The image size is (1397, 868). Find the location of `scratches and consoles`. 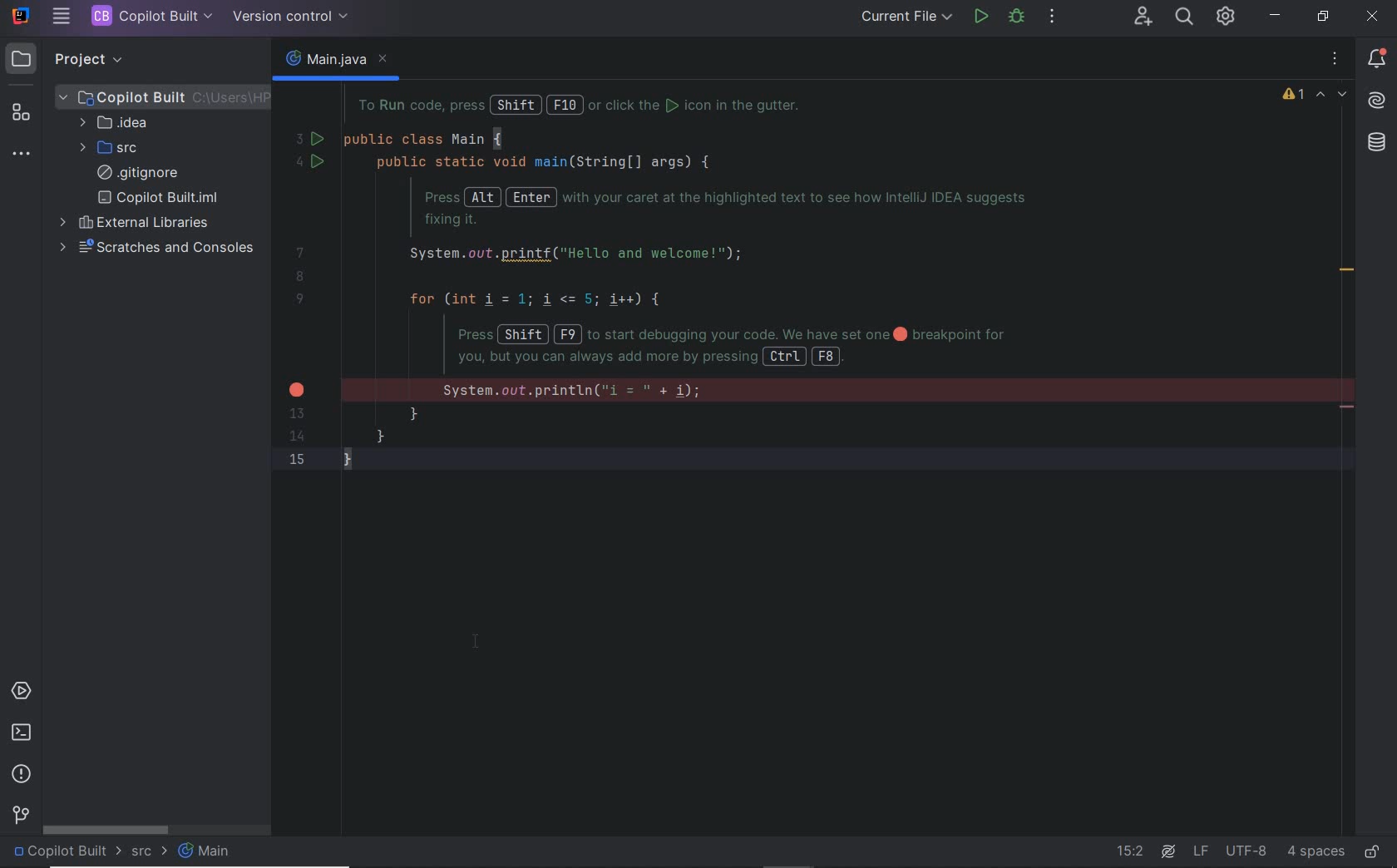

scratches and consoles is located at coordinates (157, 250).